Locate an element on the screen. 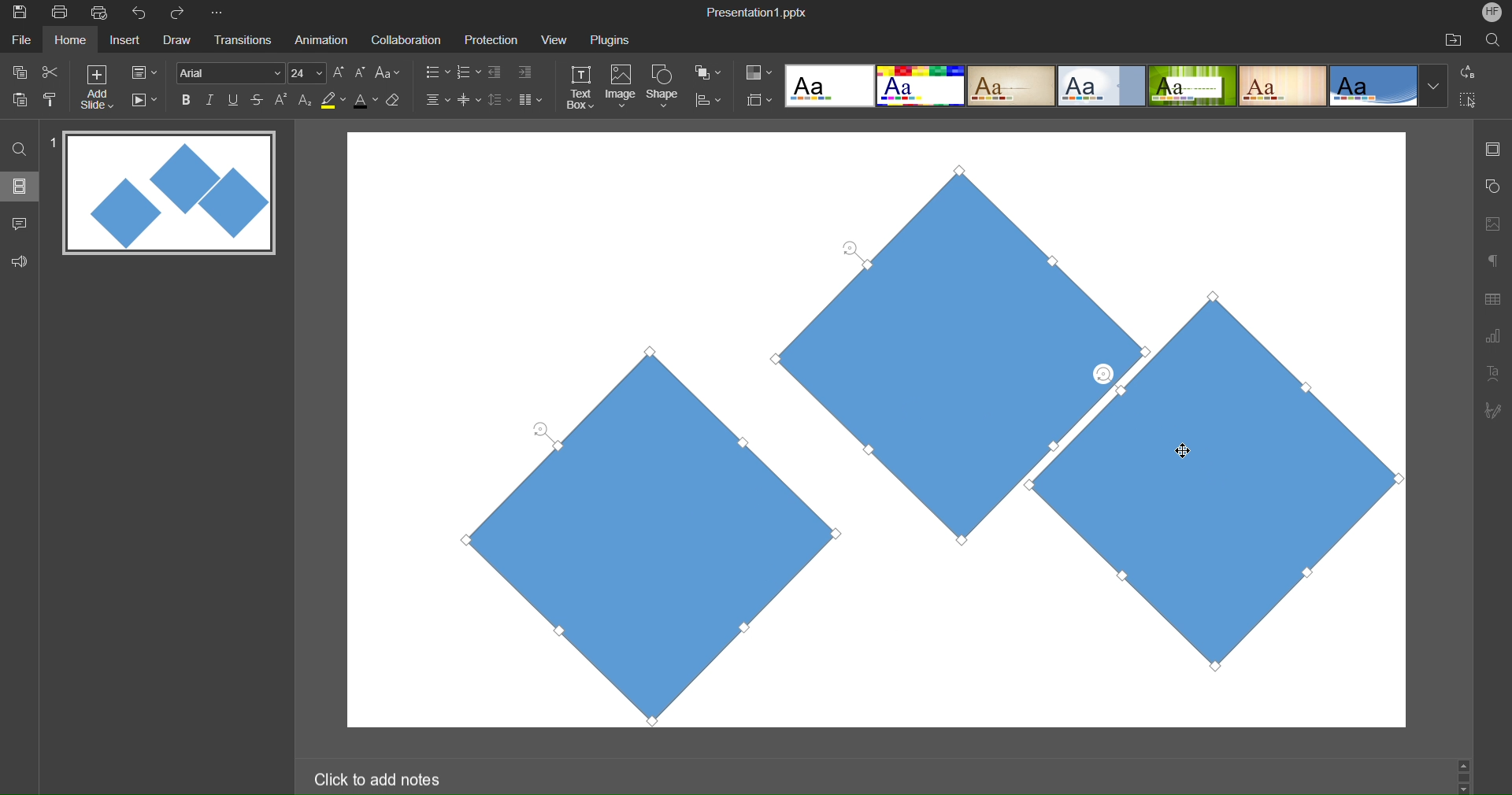  Account is located at coordinates (1492, 12).